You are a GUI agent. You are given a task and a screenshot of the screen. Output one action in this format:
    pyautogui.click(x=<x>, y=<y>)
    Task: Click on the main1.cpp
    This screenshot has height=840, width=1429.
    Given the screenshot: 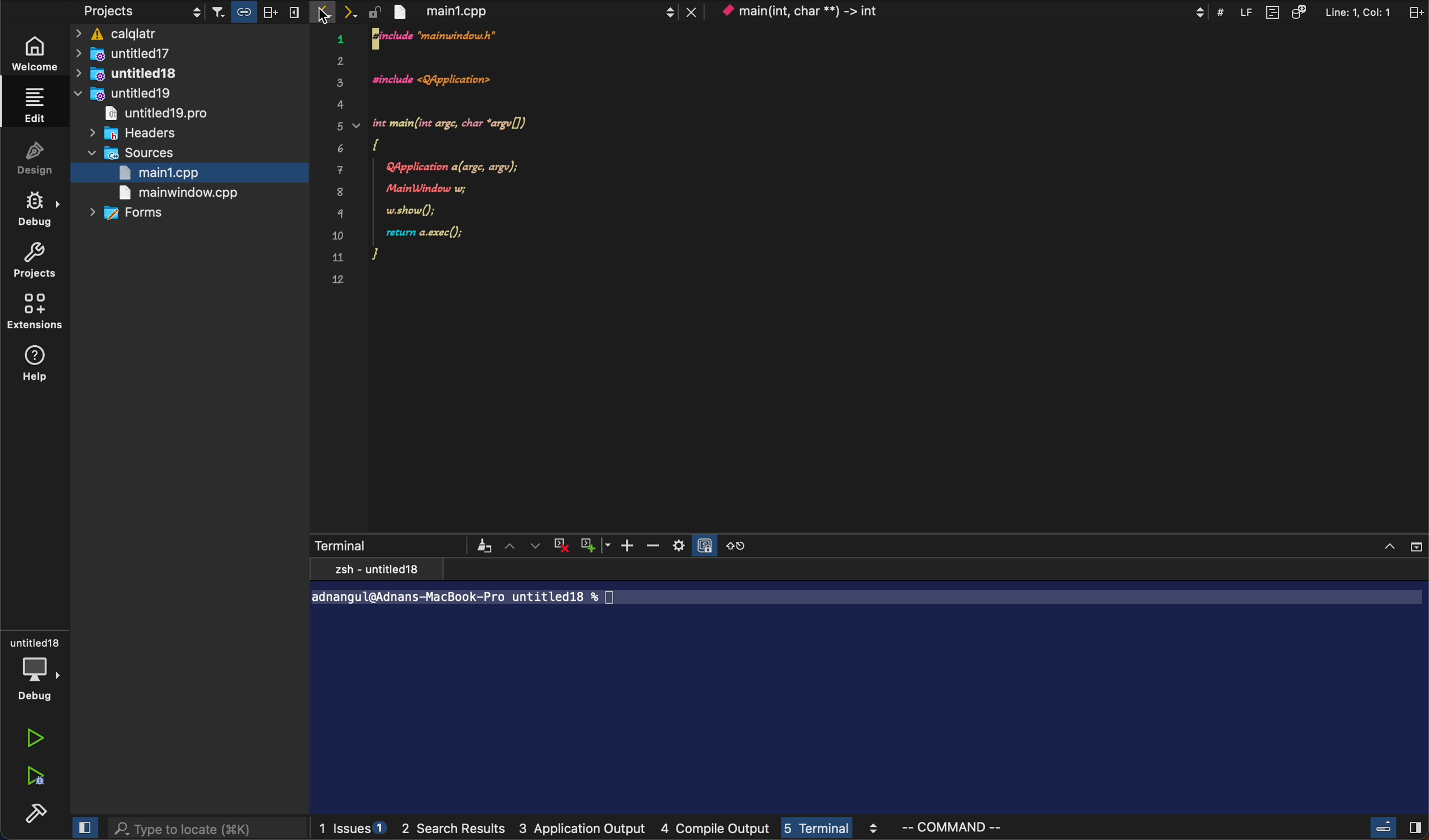 What is the action you would take?
    pyautogui.click(x=167, y=174)
    